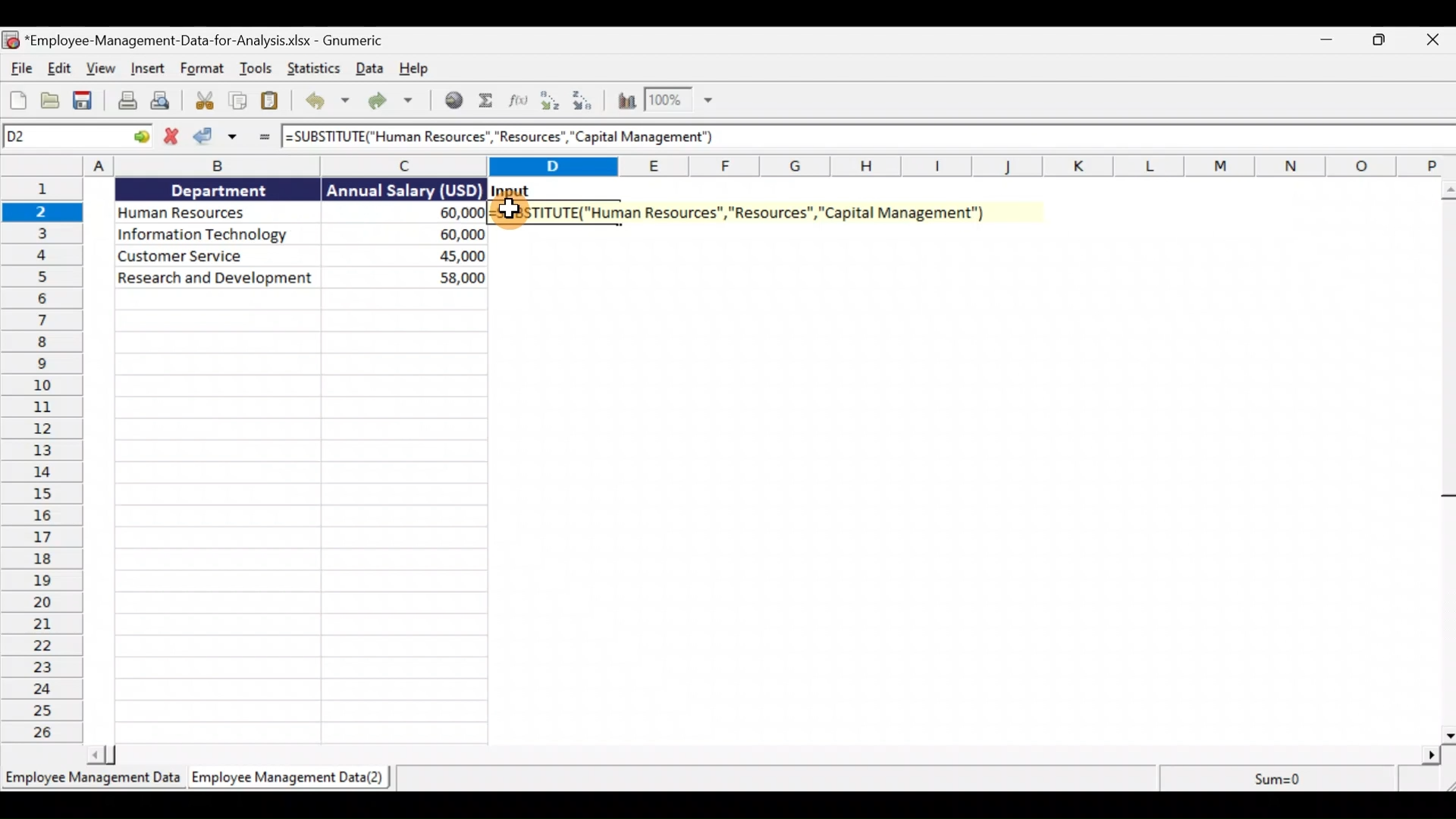  Describe the element at coordinates (90, 777) in the screenshot. I see `Sheet 1` at that location.